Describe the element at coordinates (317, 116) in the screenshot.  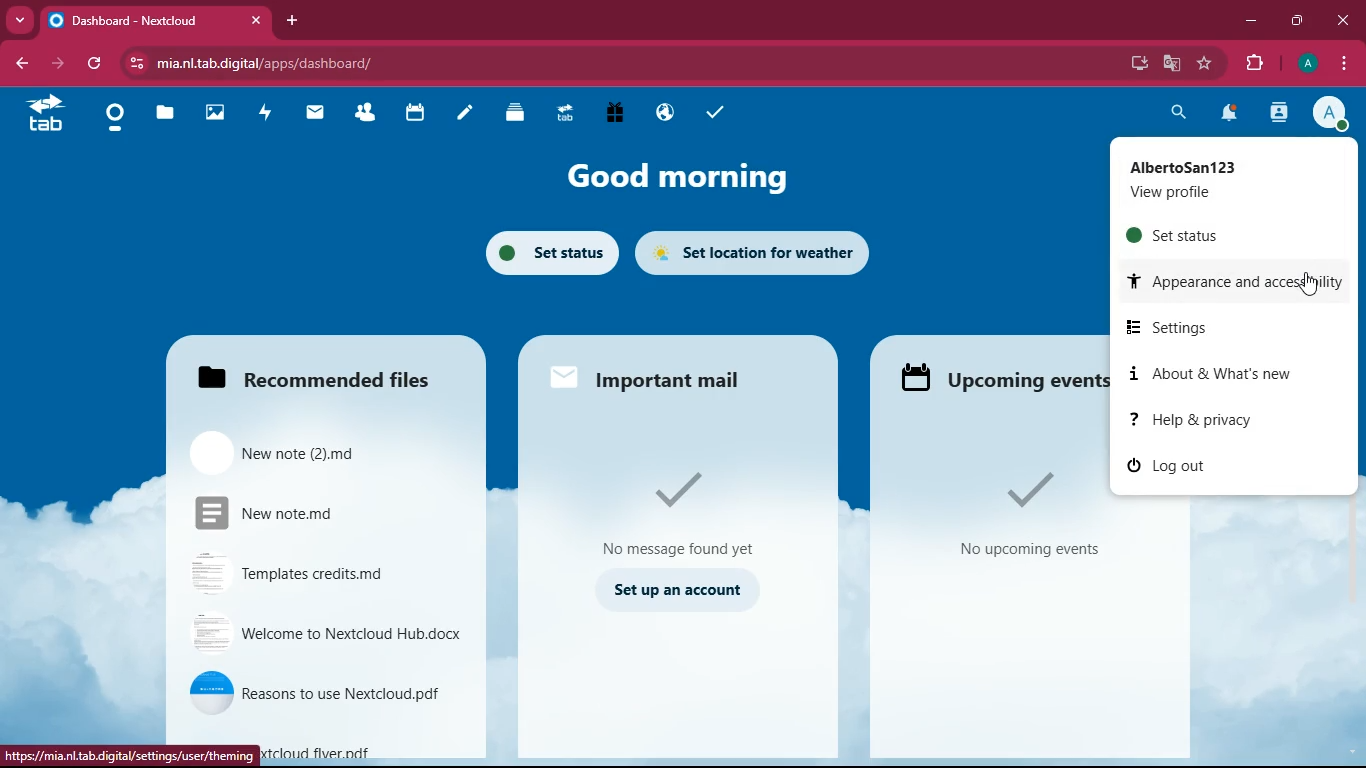
I see `mail` at that location.